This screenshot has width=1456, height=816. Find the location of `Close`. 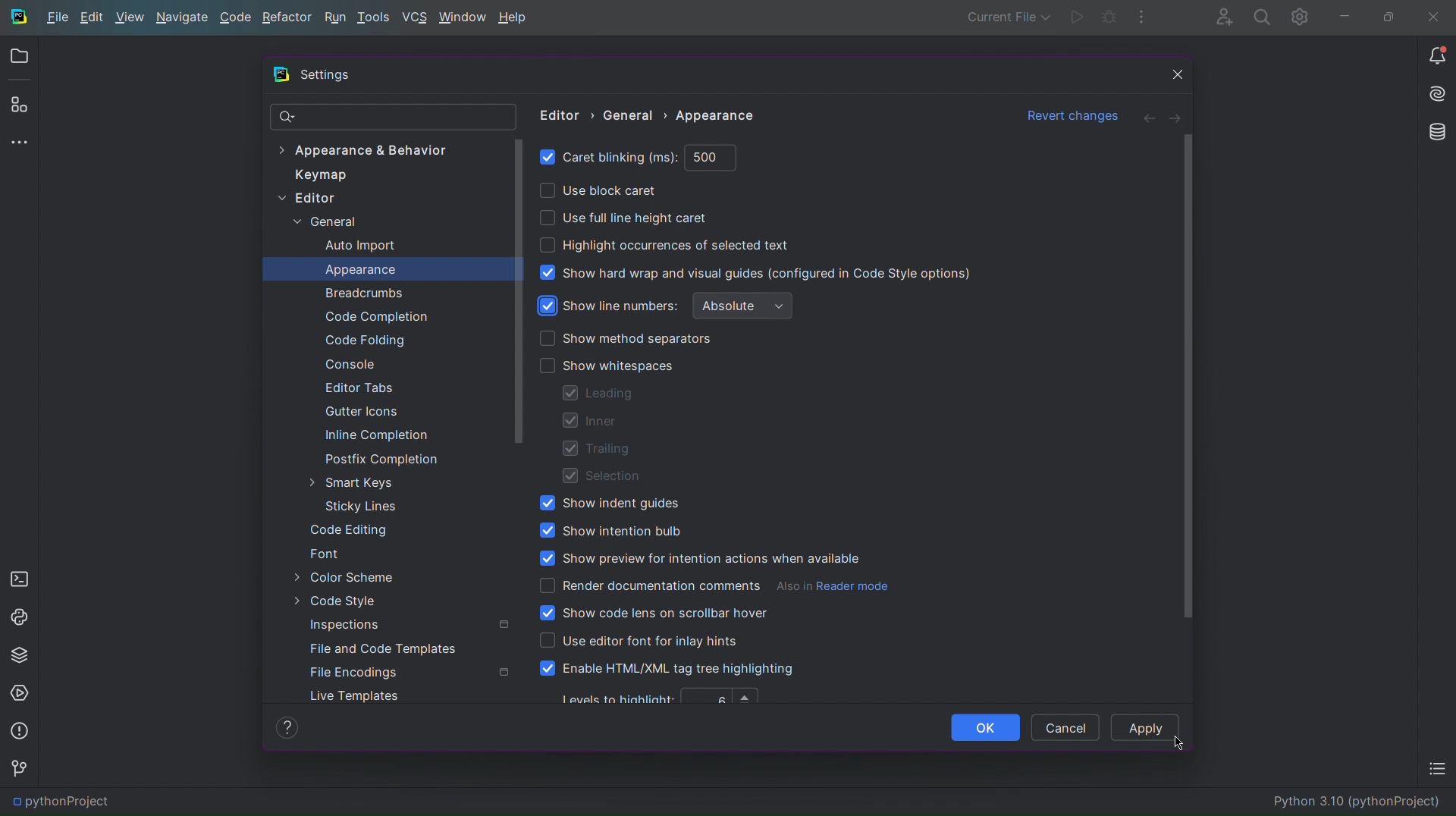

Close is located at coordinates (1436, 15).